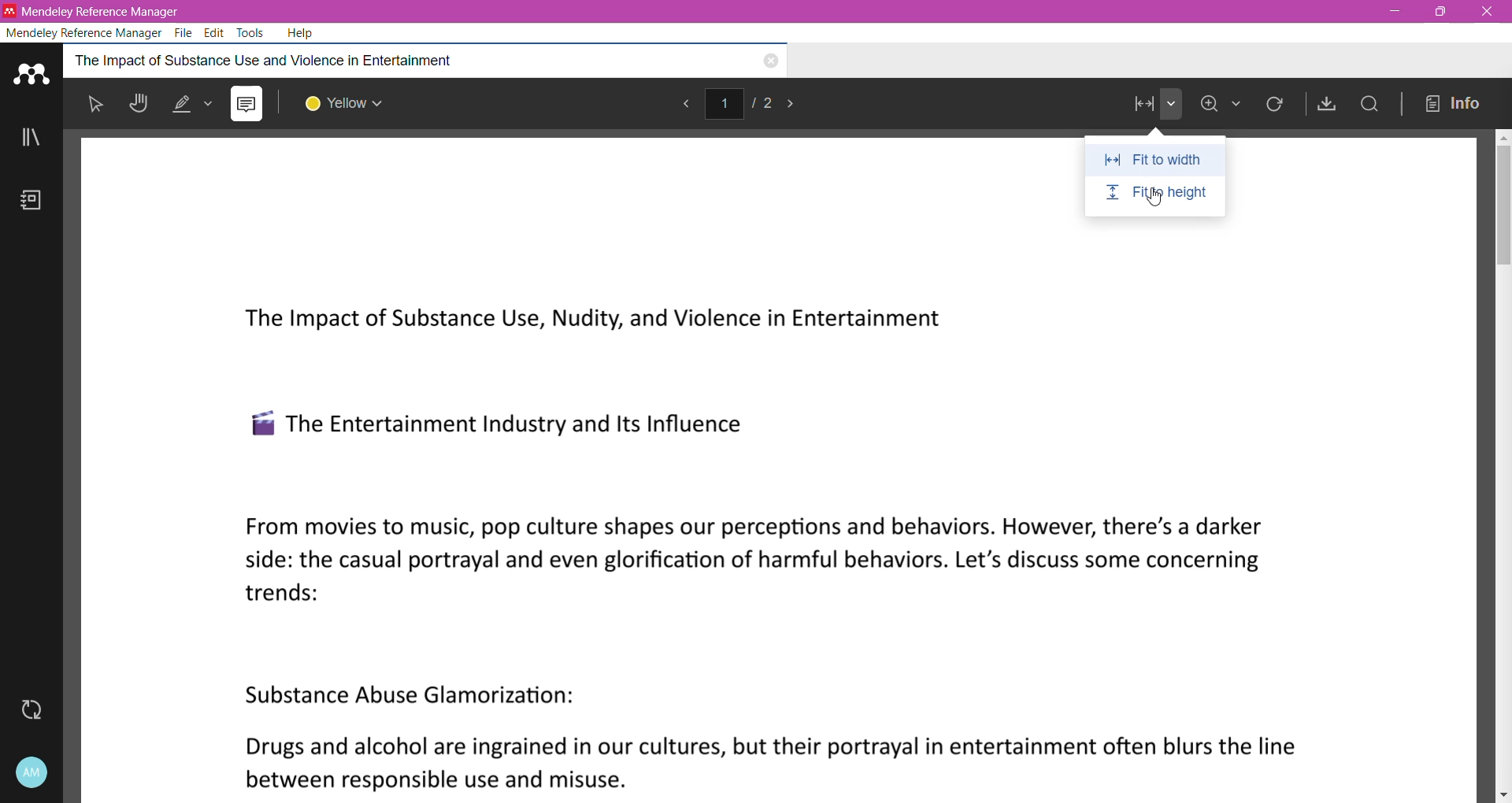 This screenshot has height=803, width=1512. What do you see at coordinates (186, 33) in the screenshot?
I see `File` at bounding box center [186, 33].